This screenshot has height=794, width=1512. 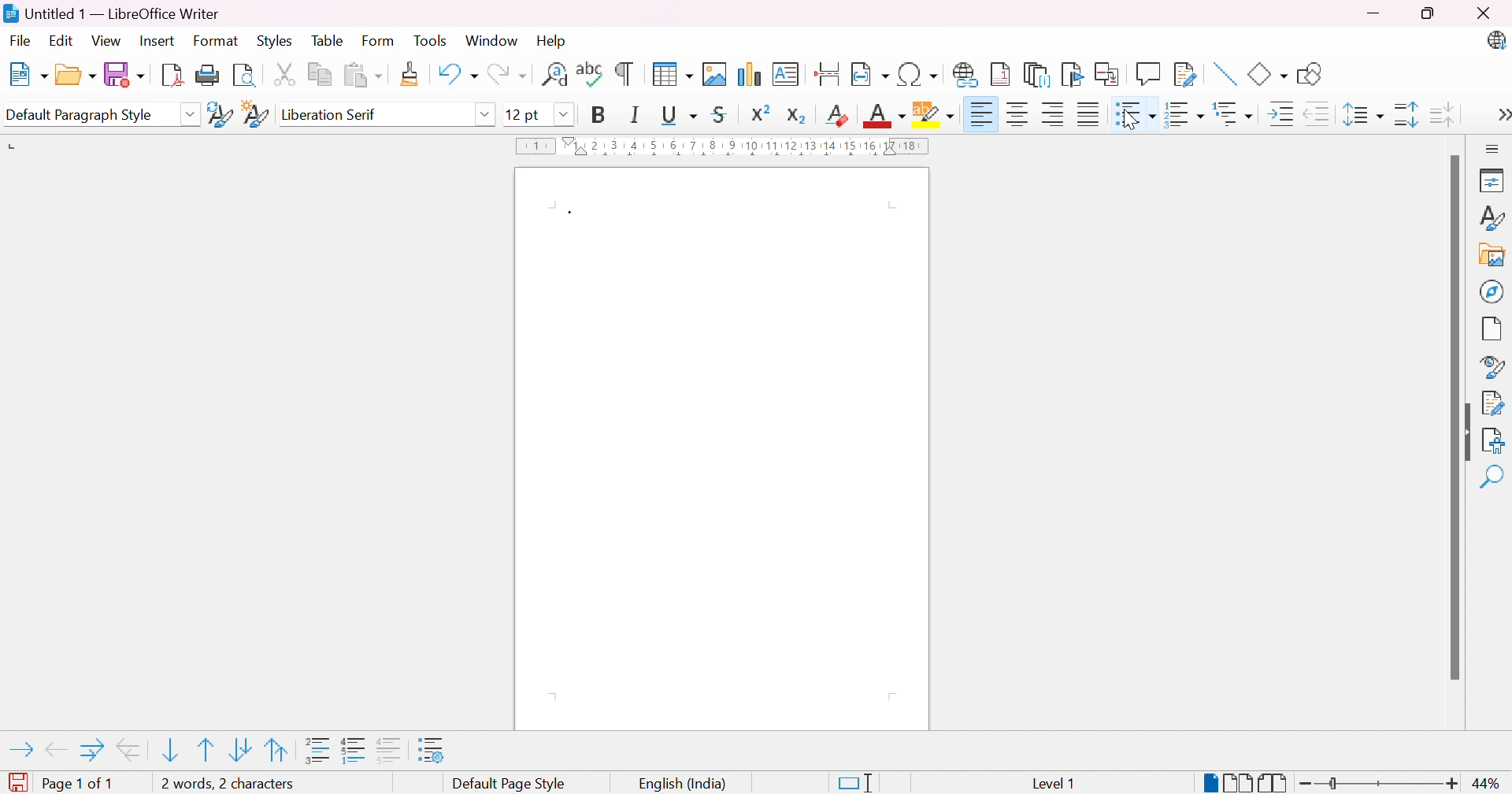 I want to click on Manage changes, so click(x=1496, y=404).